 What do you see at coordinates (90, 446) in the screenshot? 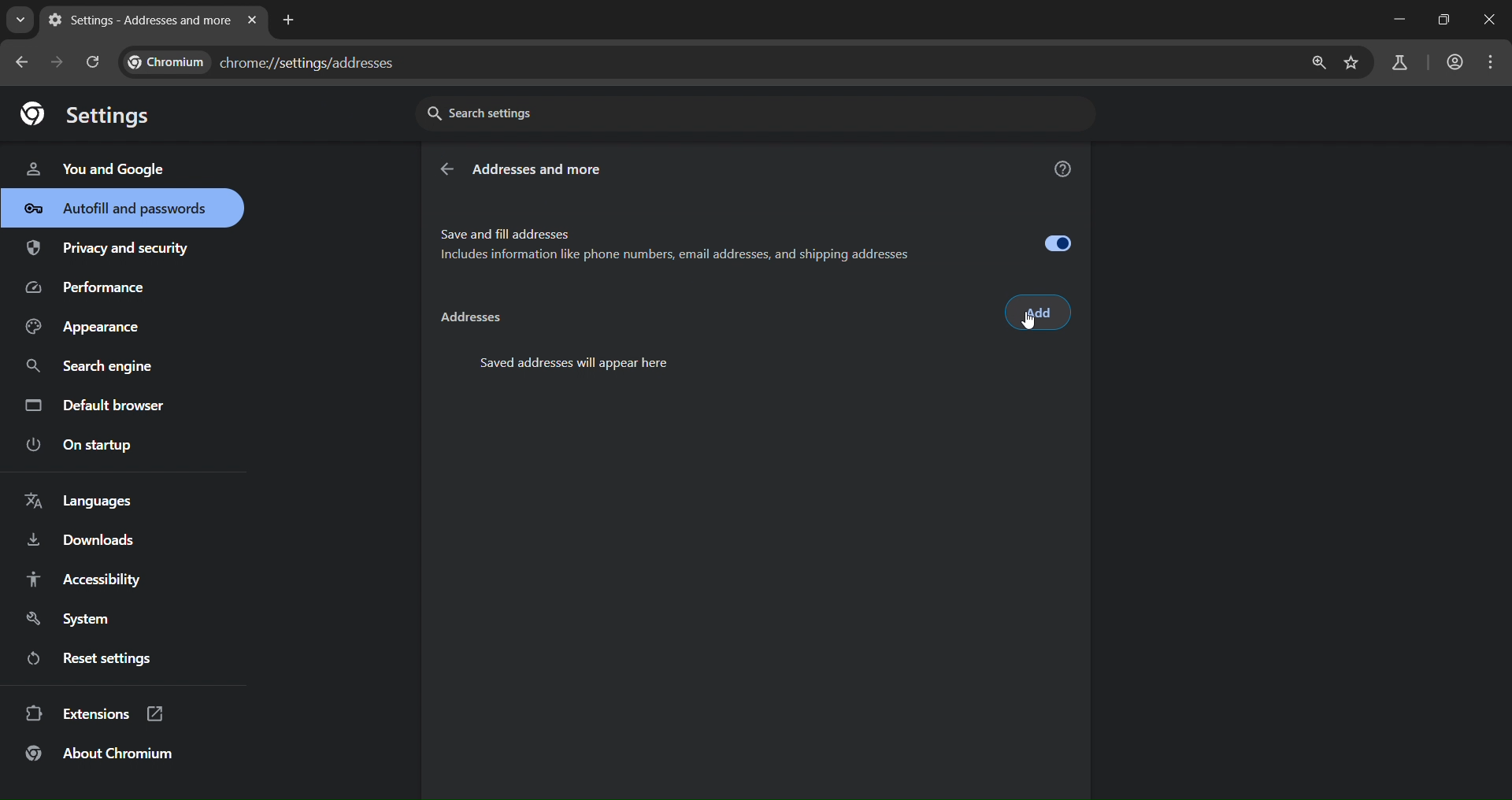
I see `on startup` at bounding box center [90, 446].